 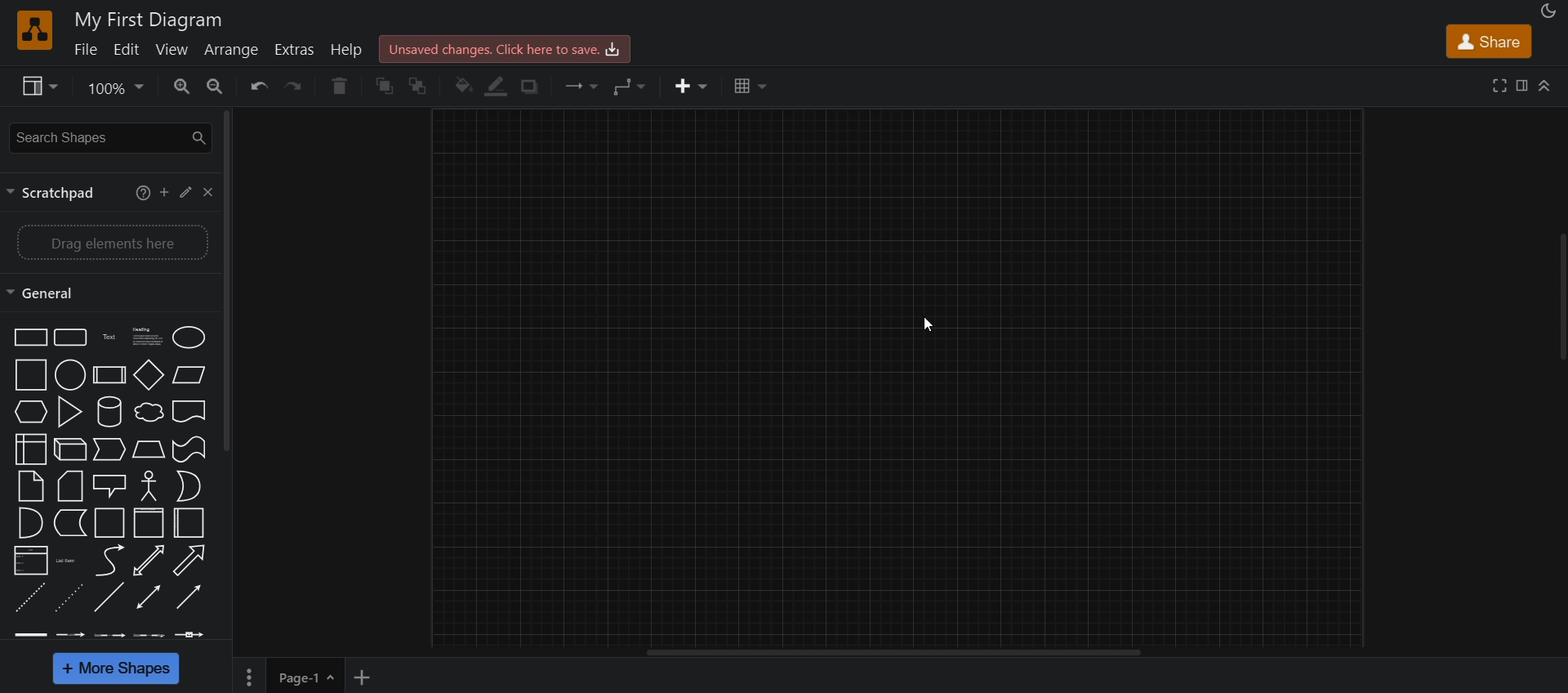 What do you see at coordinates (86, 51) in the screenshot?
I see `file` at bounding box center [86, 51].